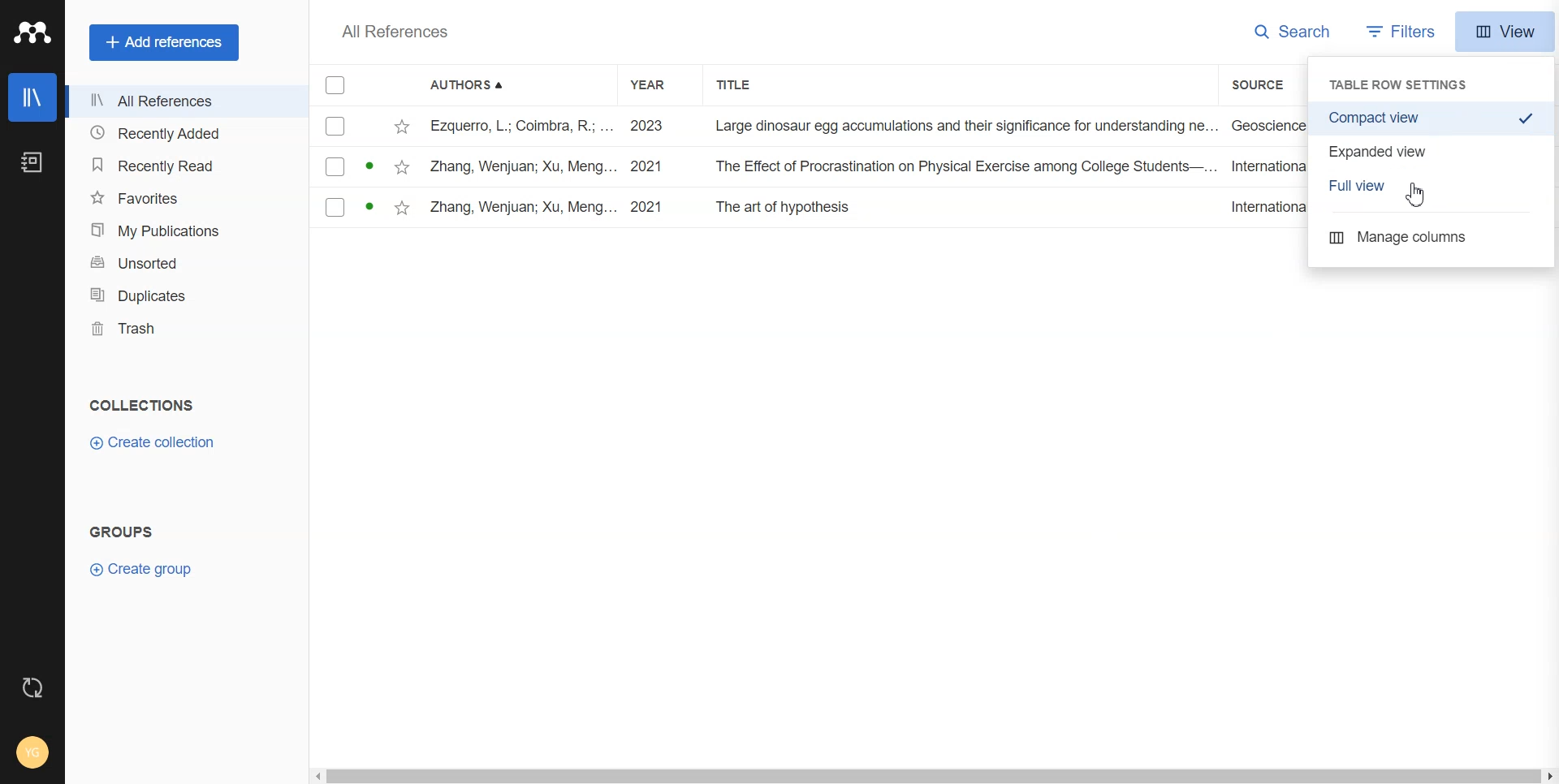 This screenshot has height=784, width=1559. What do you see at coordinates (402, 126) in the screenshot?
I see `Starred` at bounding box center [402, 126].